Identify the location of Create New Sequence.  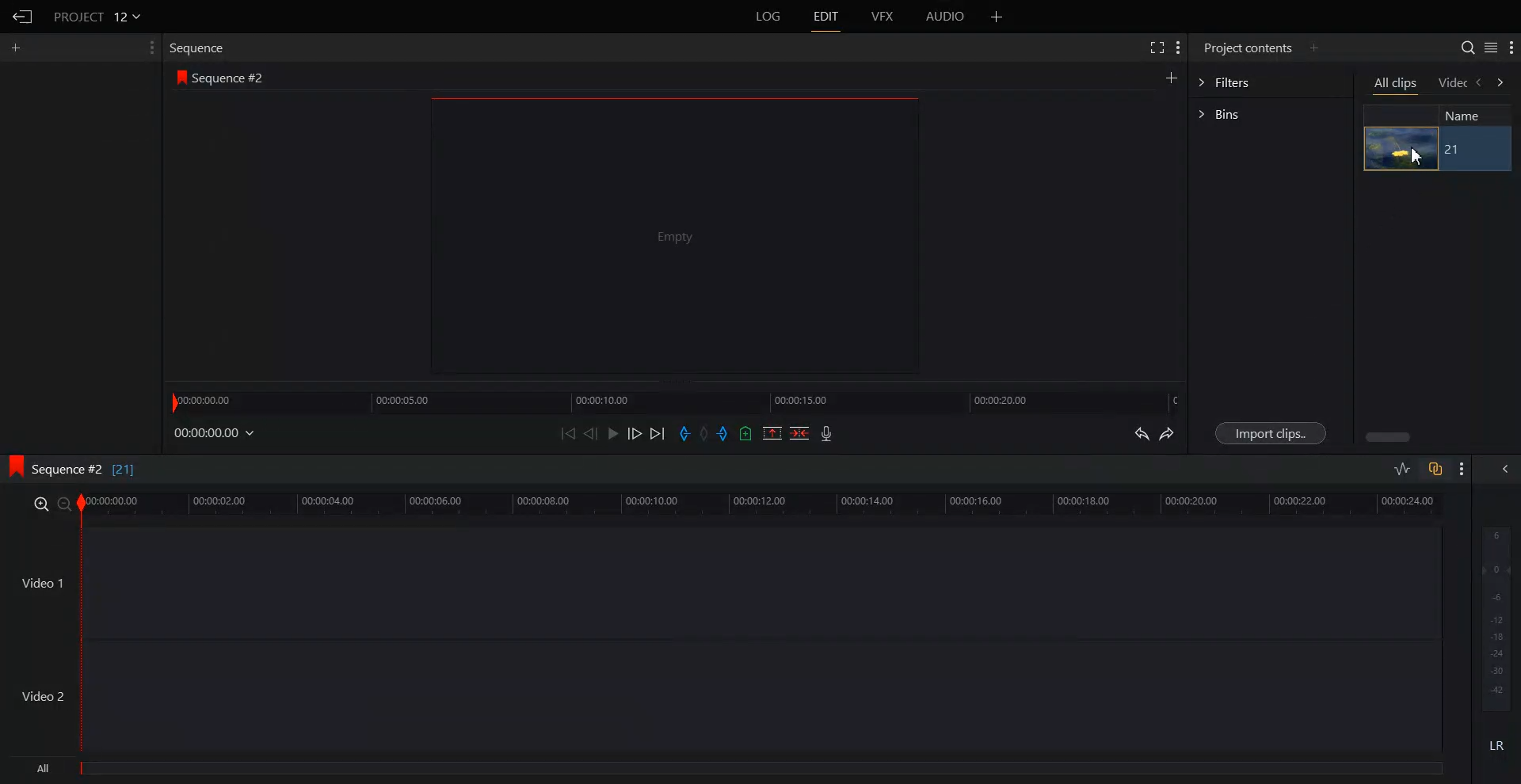
(1173, 77).